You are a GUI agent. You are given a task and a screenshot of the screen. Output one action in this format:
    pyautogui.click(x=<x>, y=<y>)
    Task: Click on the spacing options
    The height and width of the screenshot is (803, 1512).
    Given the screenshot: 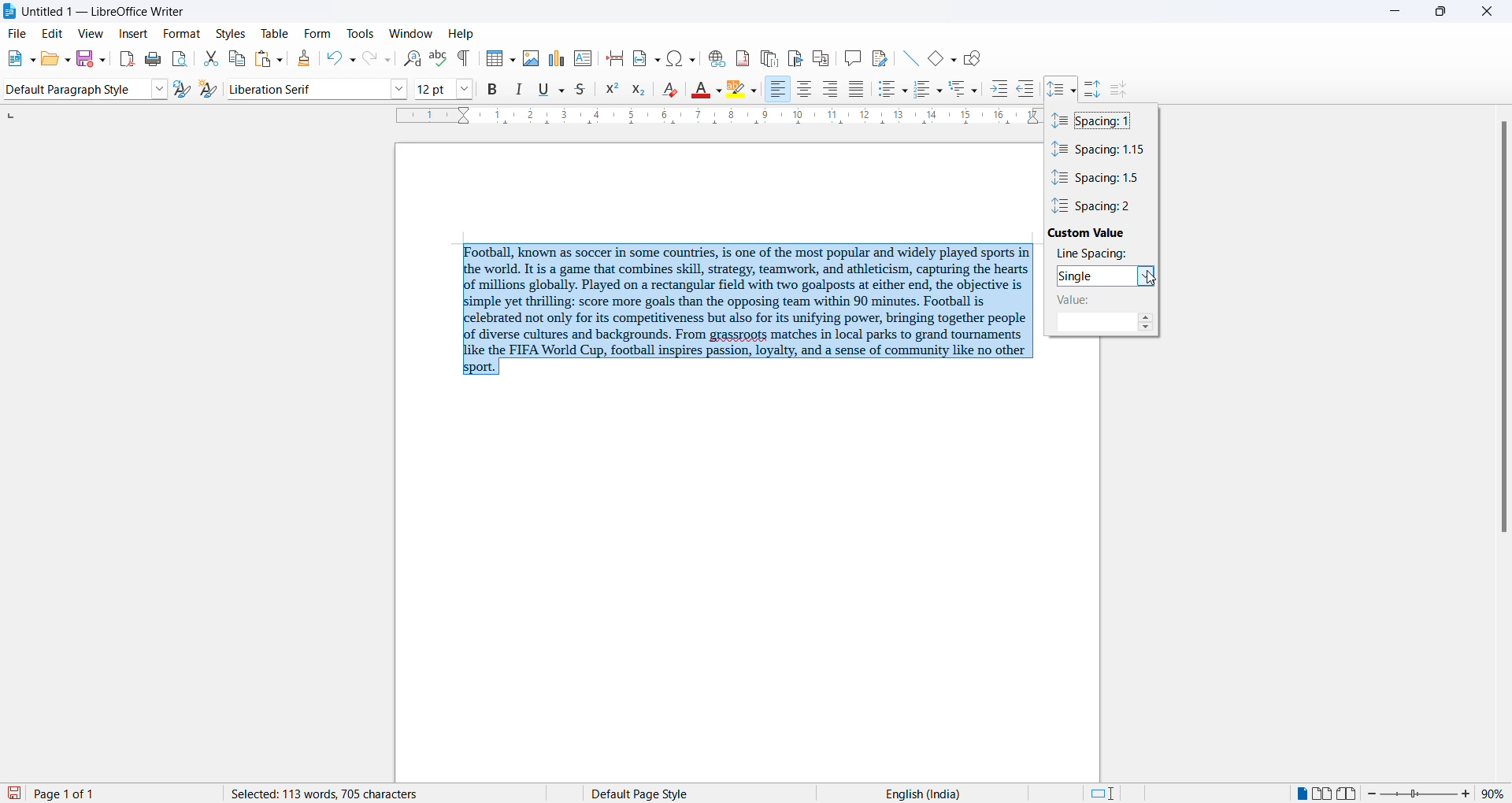 What is the action you would take?
    pyautogui.click(x=1145, y=276)
    